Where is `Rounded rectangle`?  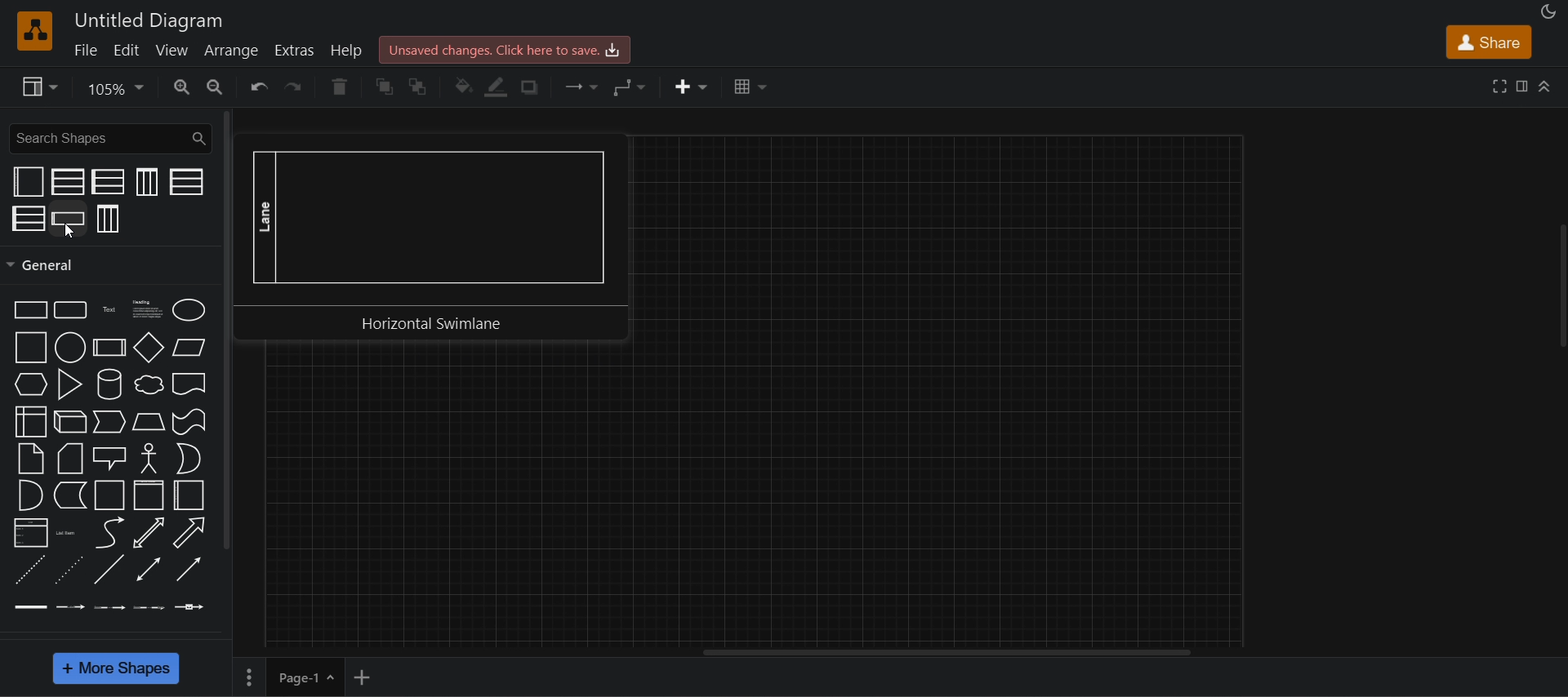 Rounded rectangle is located at coordinates (71, 310).